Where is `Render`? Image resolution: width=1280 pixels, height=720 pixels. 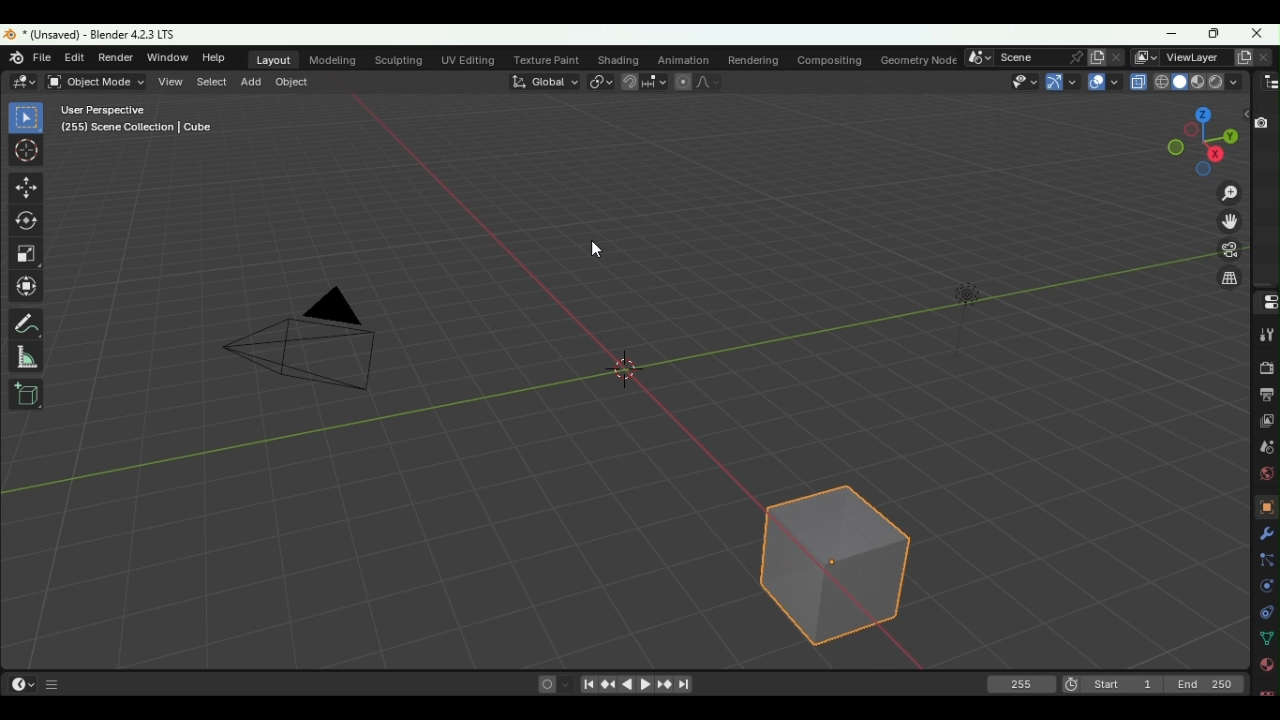
Render is located at coordinates (114, 57).